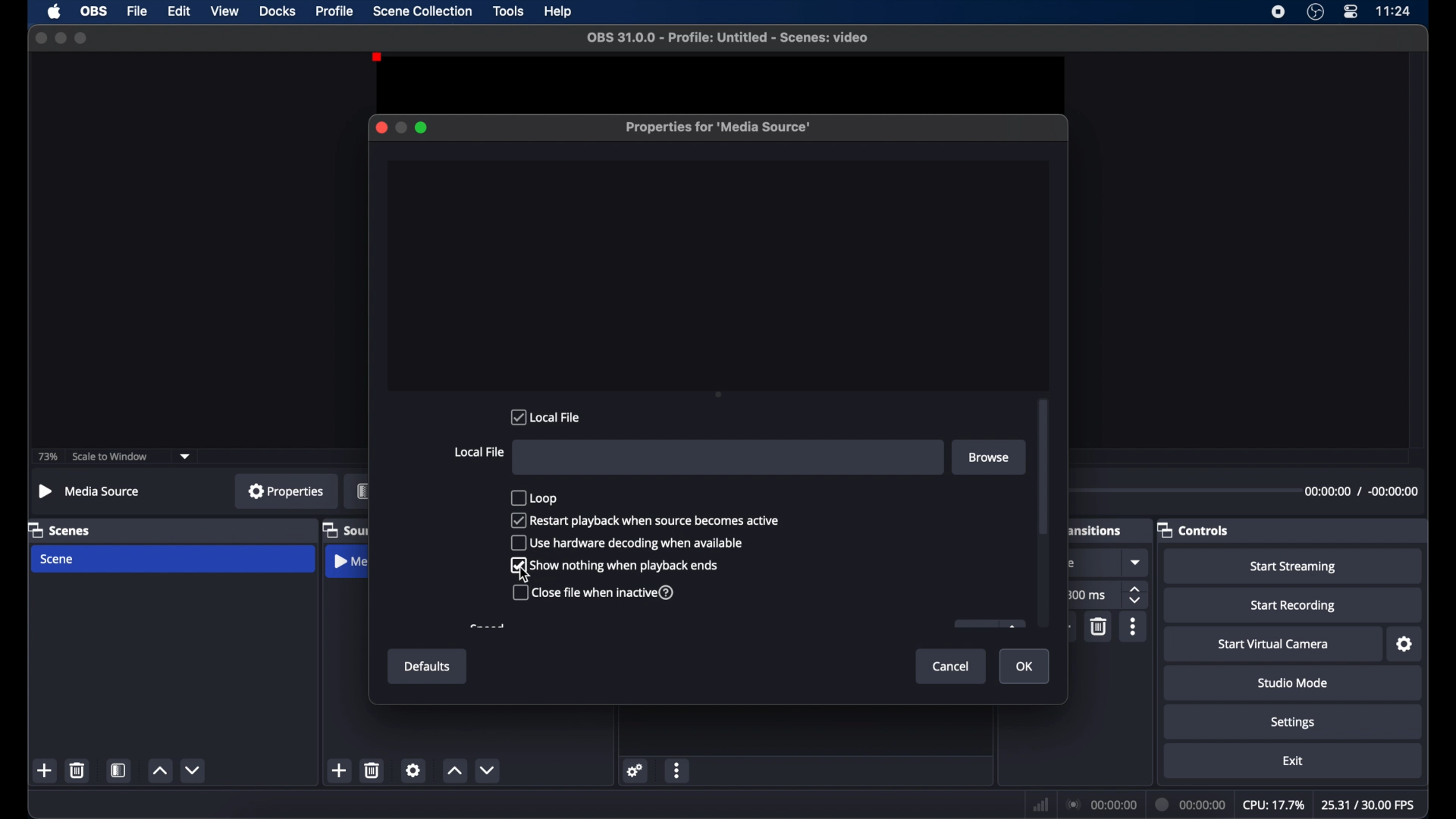 This screenshot has height=819, width=1456. Describe the element at coordinates (1043, 466) in the screenshot. I see `scroll box` at that location.